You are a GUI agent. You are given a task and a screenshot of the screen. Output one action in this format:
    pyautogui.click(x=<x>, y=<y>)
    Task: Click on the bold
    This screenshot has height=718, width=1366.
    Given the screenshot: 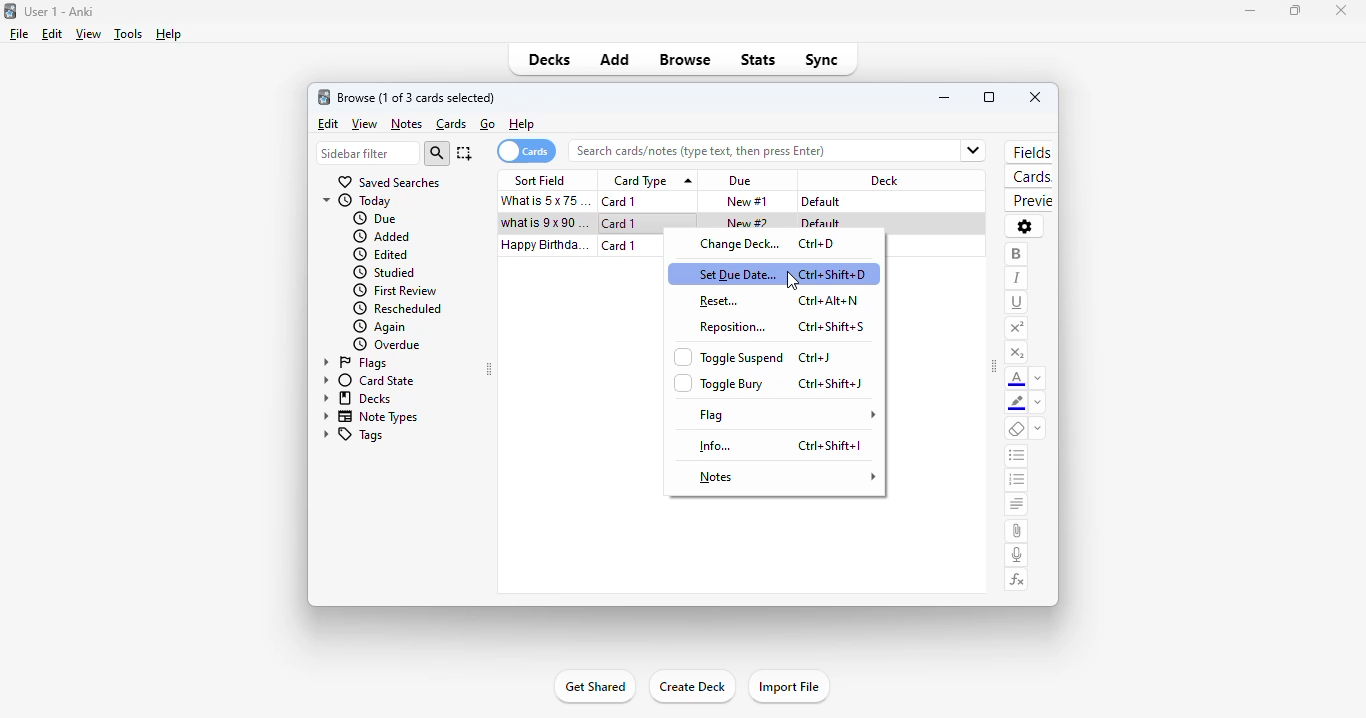 What is the action you would take?
    pyautogui.click(x=1015, y=255)
    